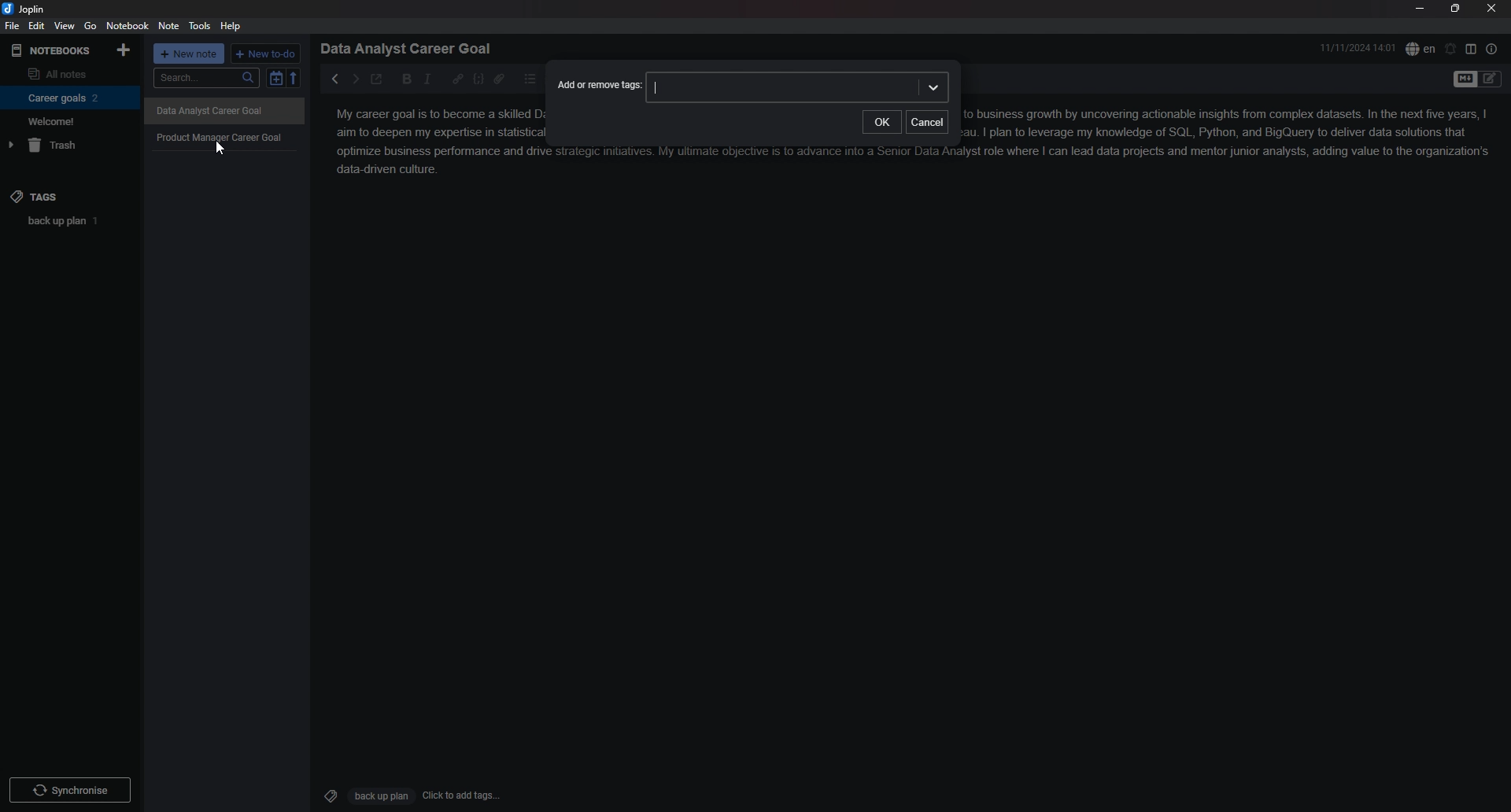 The height and width of the screenshot is (812, 1511). Describe the element at coordinates (1464, 80) in the screenshot. I see `toggle editor` at that location.